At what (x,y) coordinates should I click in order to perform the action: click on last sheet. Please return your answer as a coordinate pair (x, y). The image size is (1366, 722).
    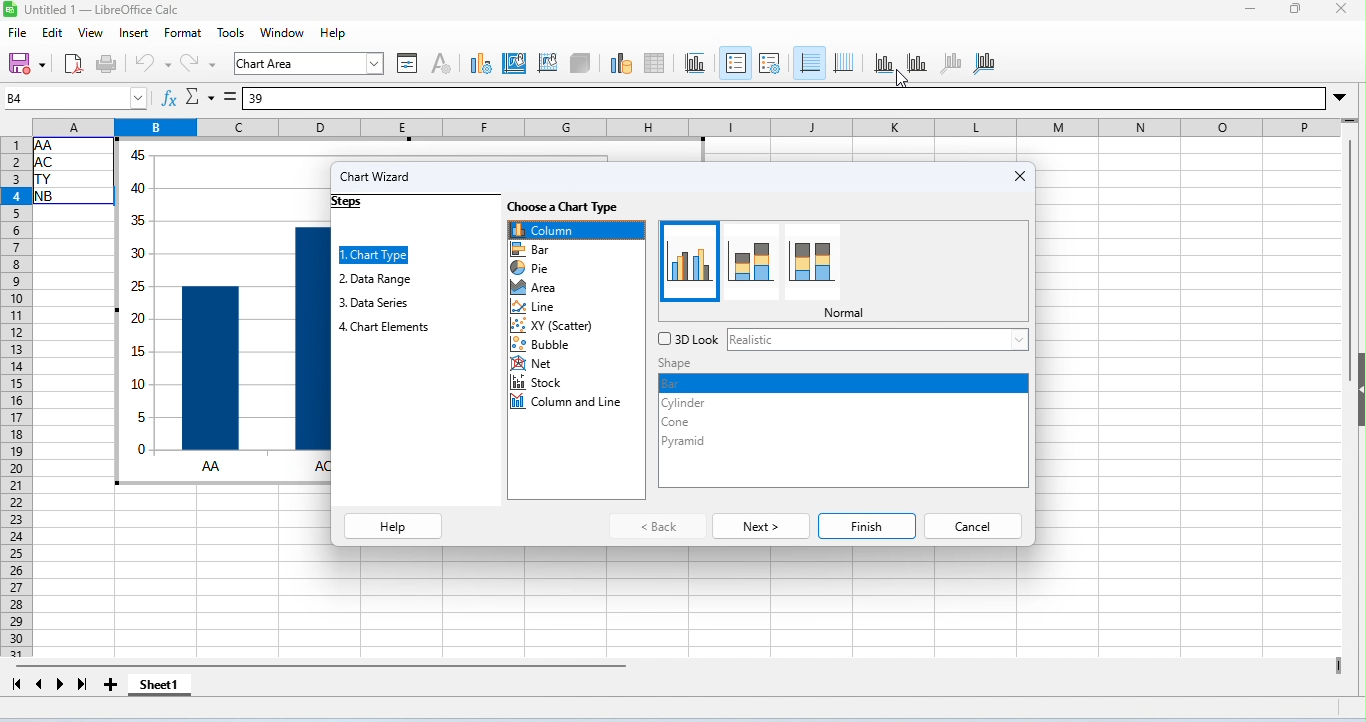
    Looking at the image, I should click on (82, 684).